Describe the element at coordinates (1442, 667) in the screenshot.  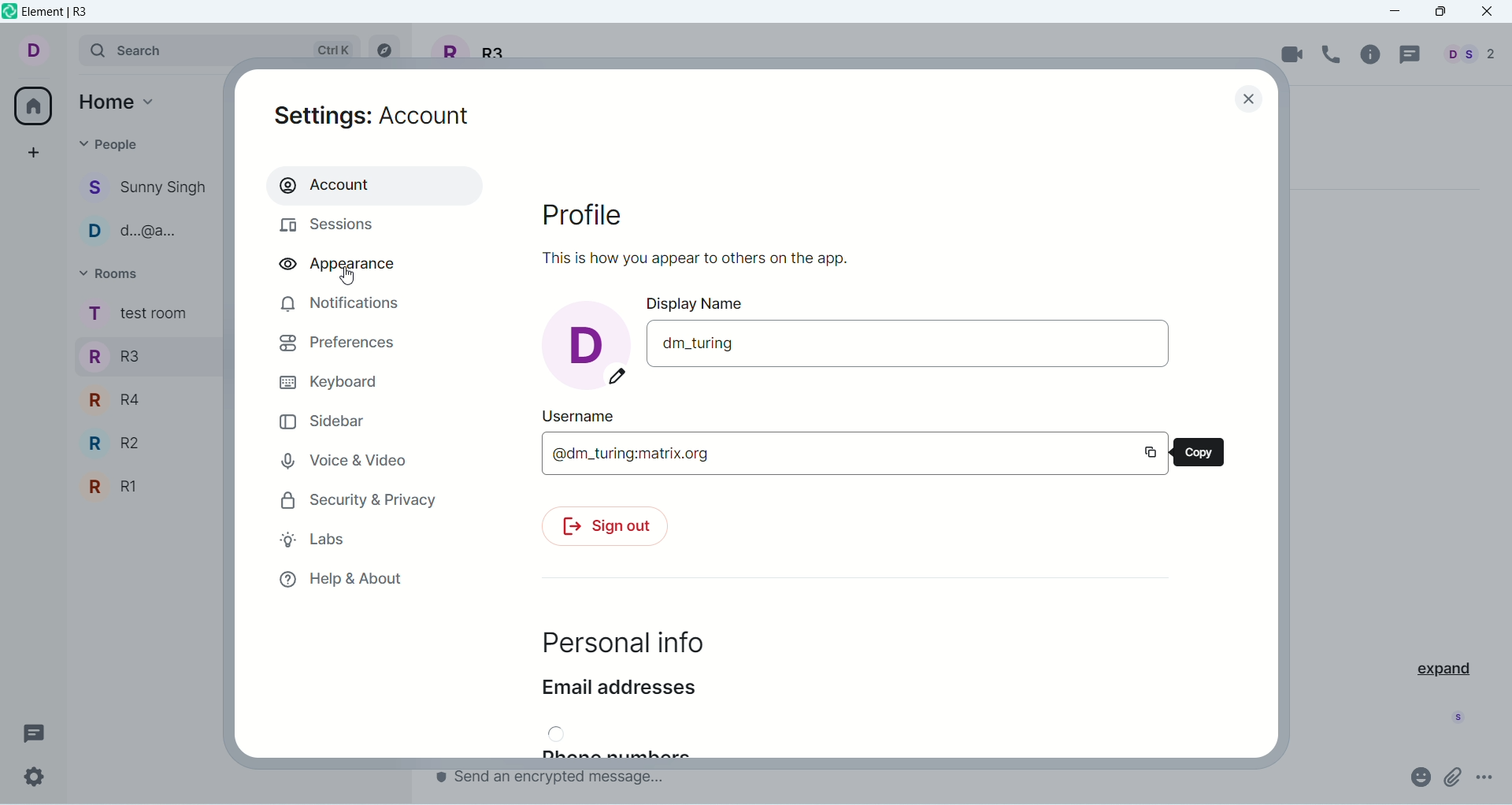
I see `expand` at that location.